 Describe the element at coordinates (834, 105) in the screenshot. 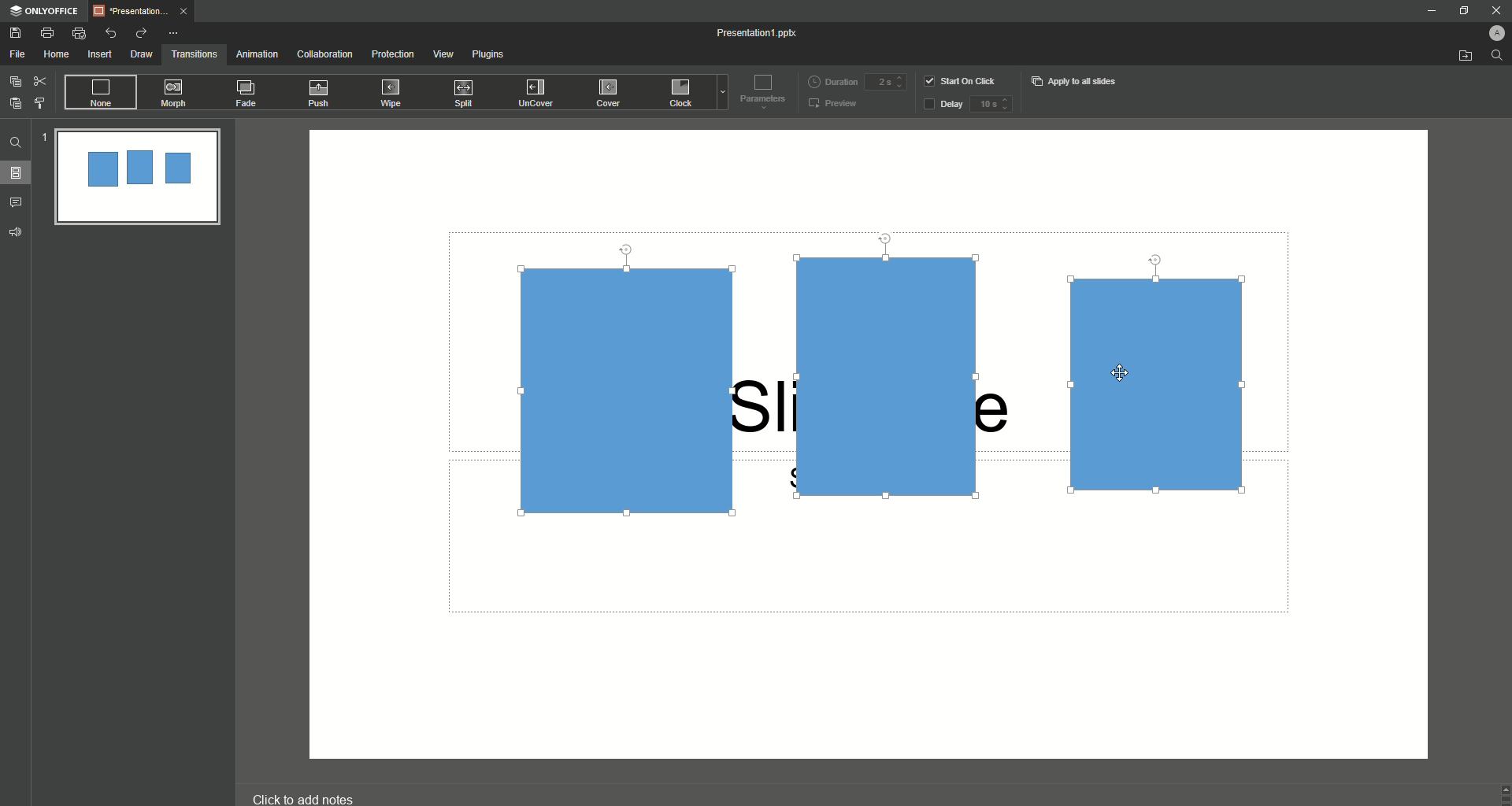

I see `Preview` at that location.